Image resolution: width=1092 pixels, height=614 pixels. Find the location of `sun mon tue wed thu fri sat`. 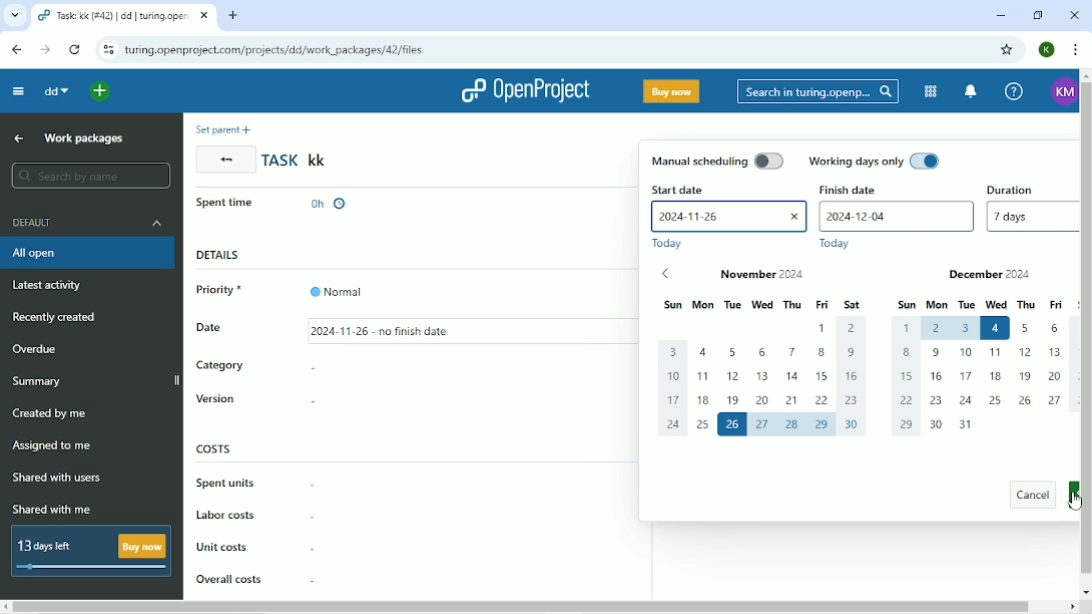

sun mon tue wed thu fri sat is located at coordinates (762, 303).